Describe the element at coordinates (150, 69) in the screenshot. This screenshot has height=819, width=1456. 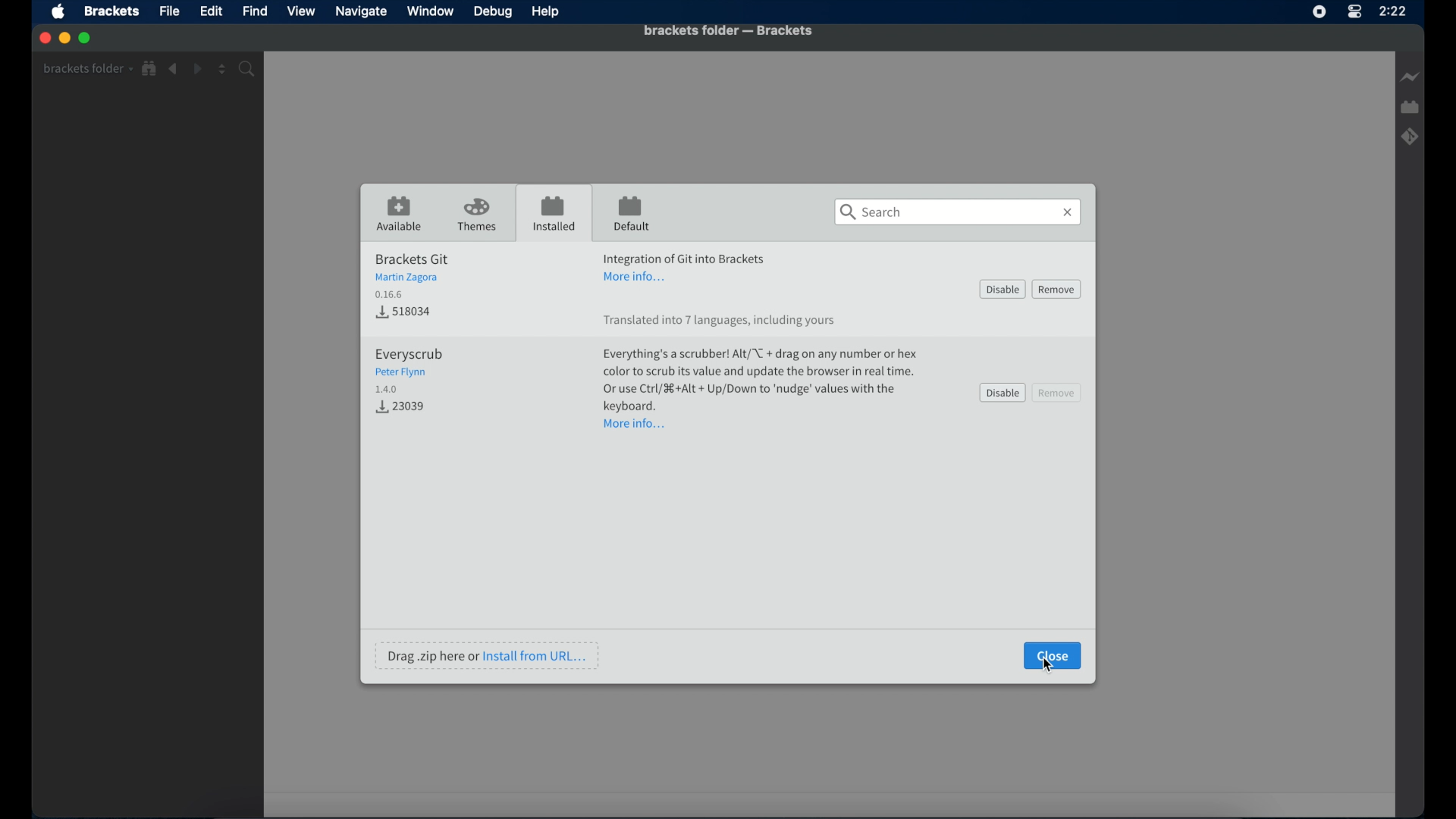
I see `show file in tree` at that location.